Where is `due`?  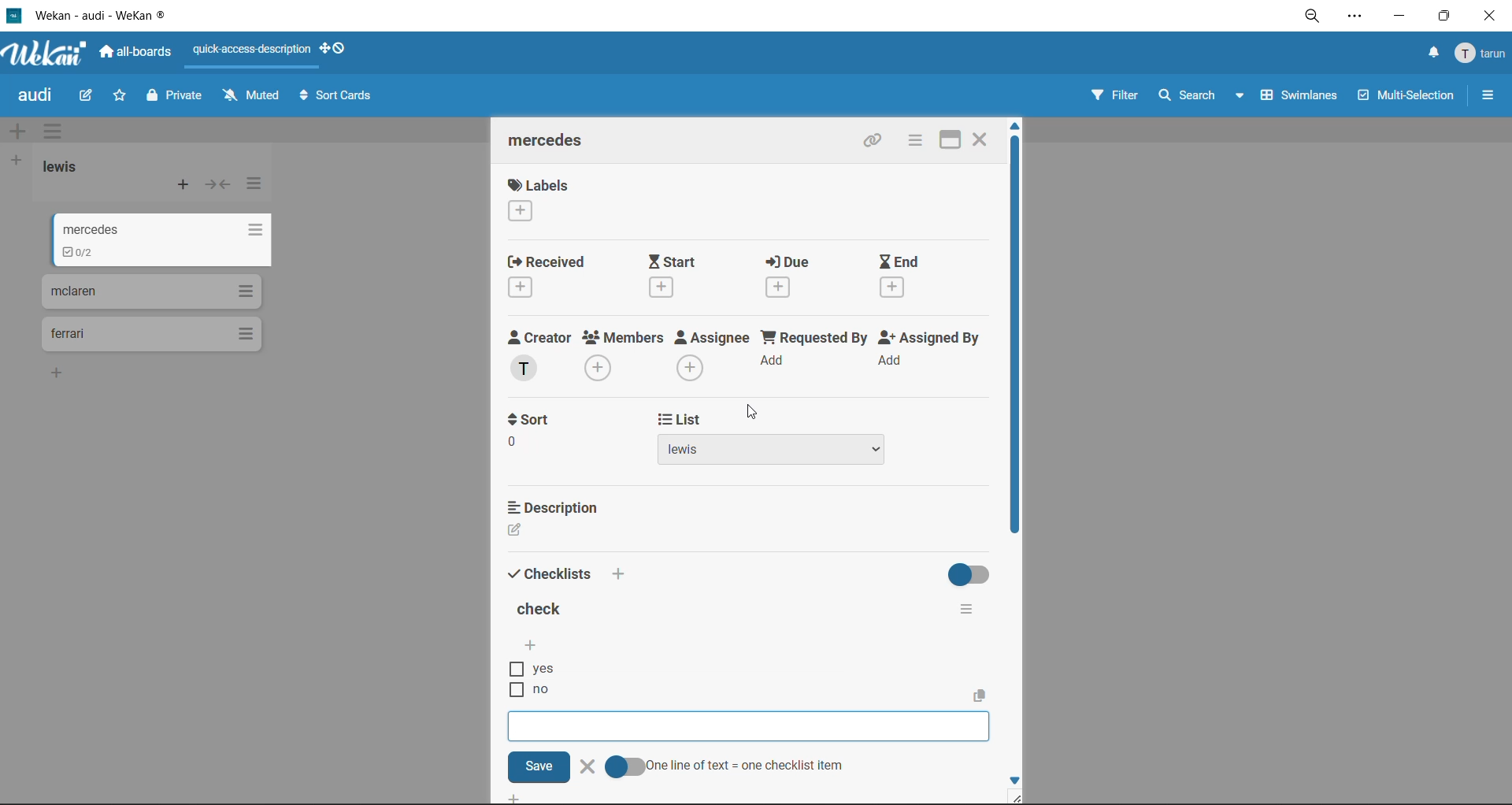
due is located at coordinates (799, 280).